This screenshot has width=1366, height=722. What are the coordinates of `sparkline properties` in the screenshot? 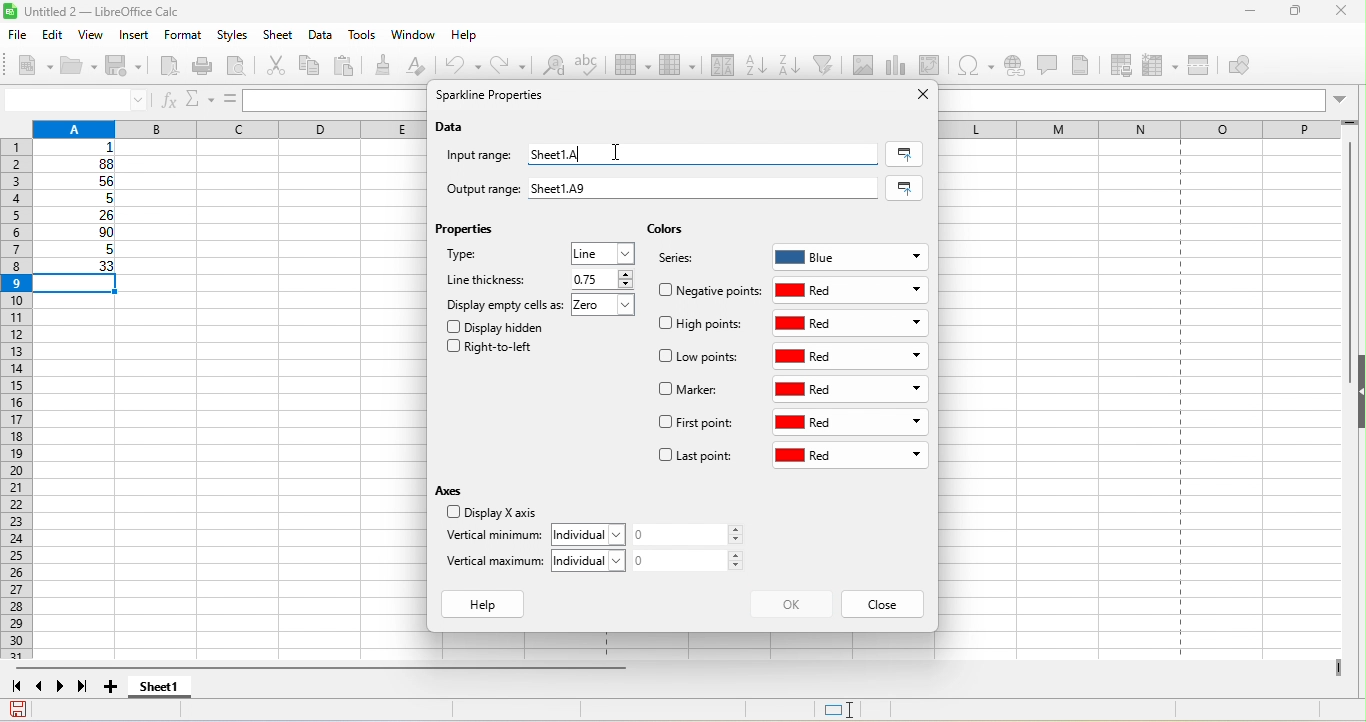 It's located at (494, 97).